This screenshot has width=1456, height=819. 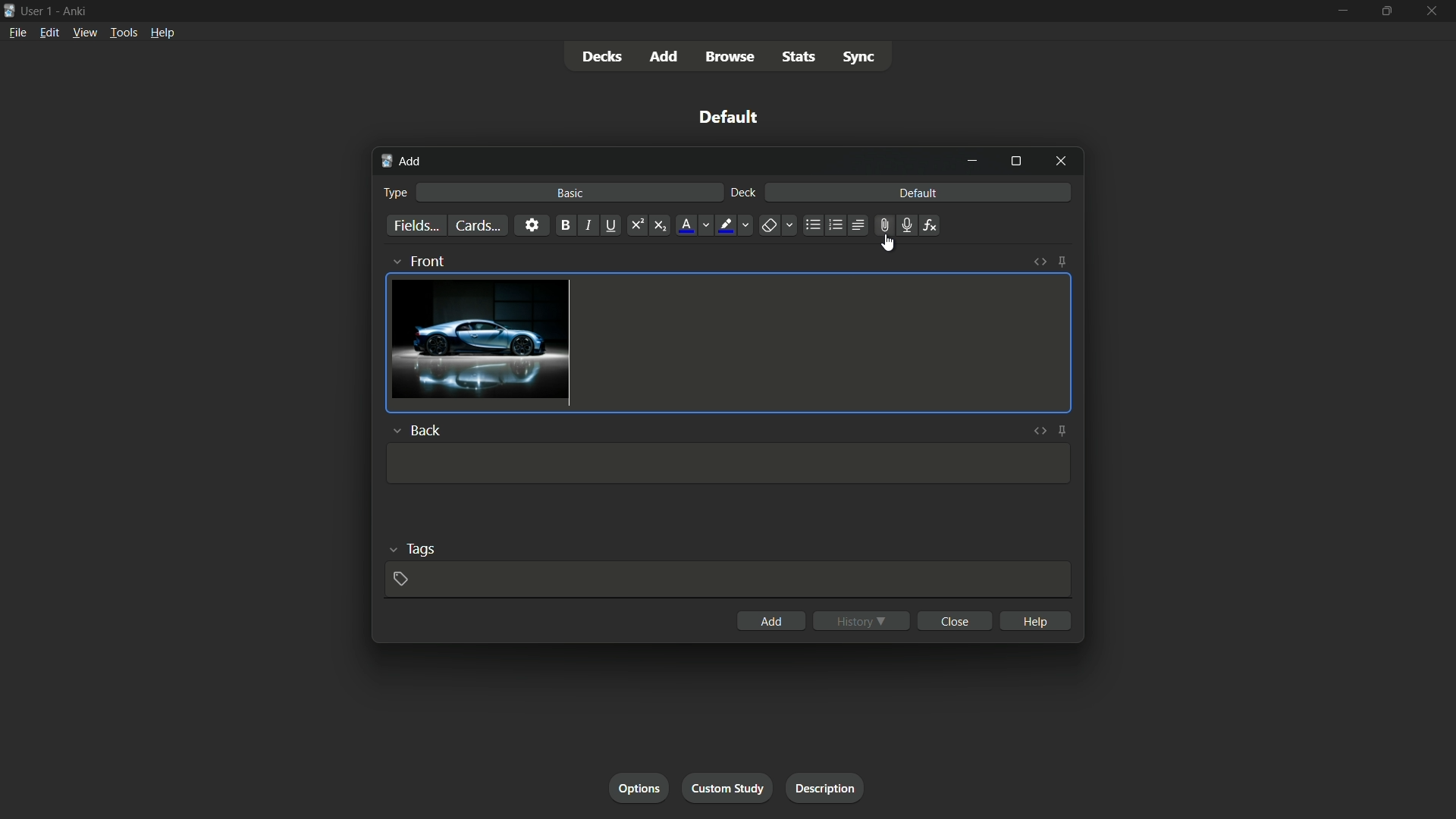 What do you see at coordinates (859, 225) in the screenshot?
I see `alignment` at bounding box center [859, 225].